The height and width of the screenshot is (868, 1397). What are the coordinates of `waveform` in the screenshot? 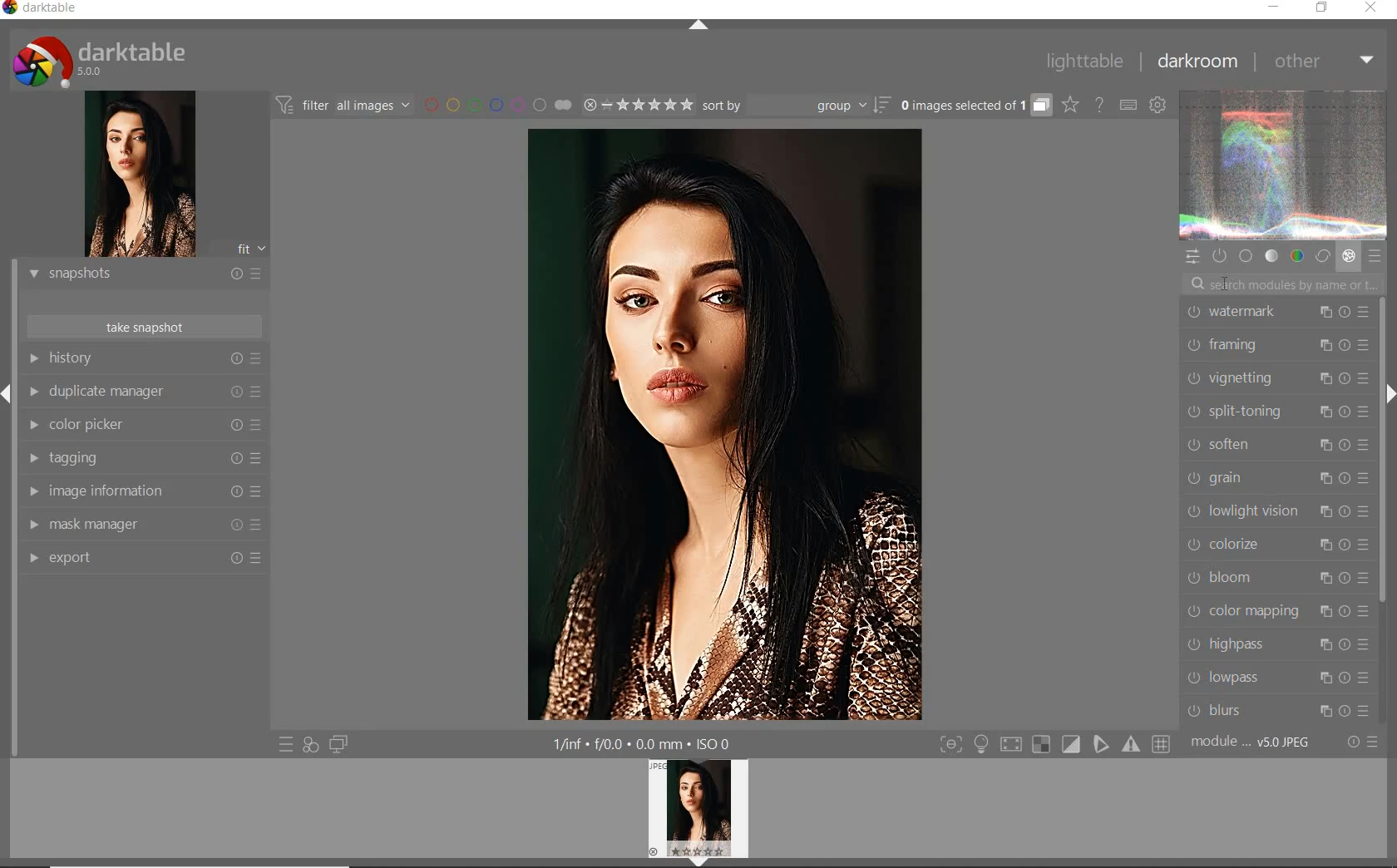 It's located at (1284, 165).